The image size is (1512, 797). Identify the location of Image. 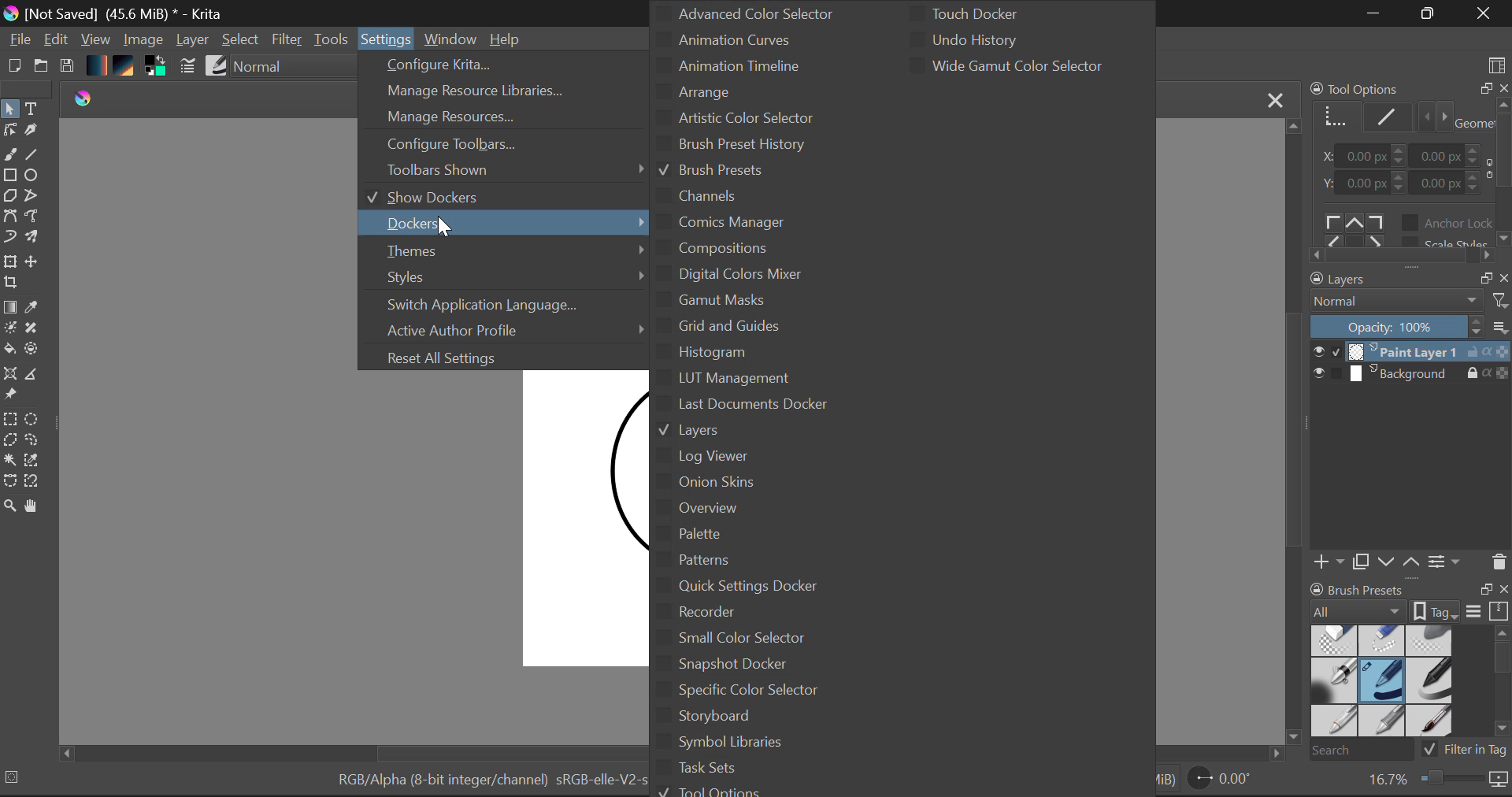
(143, 41).